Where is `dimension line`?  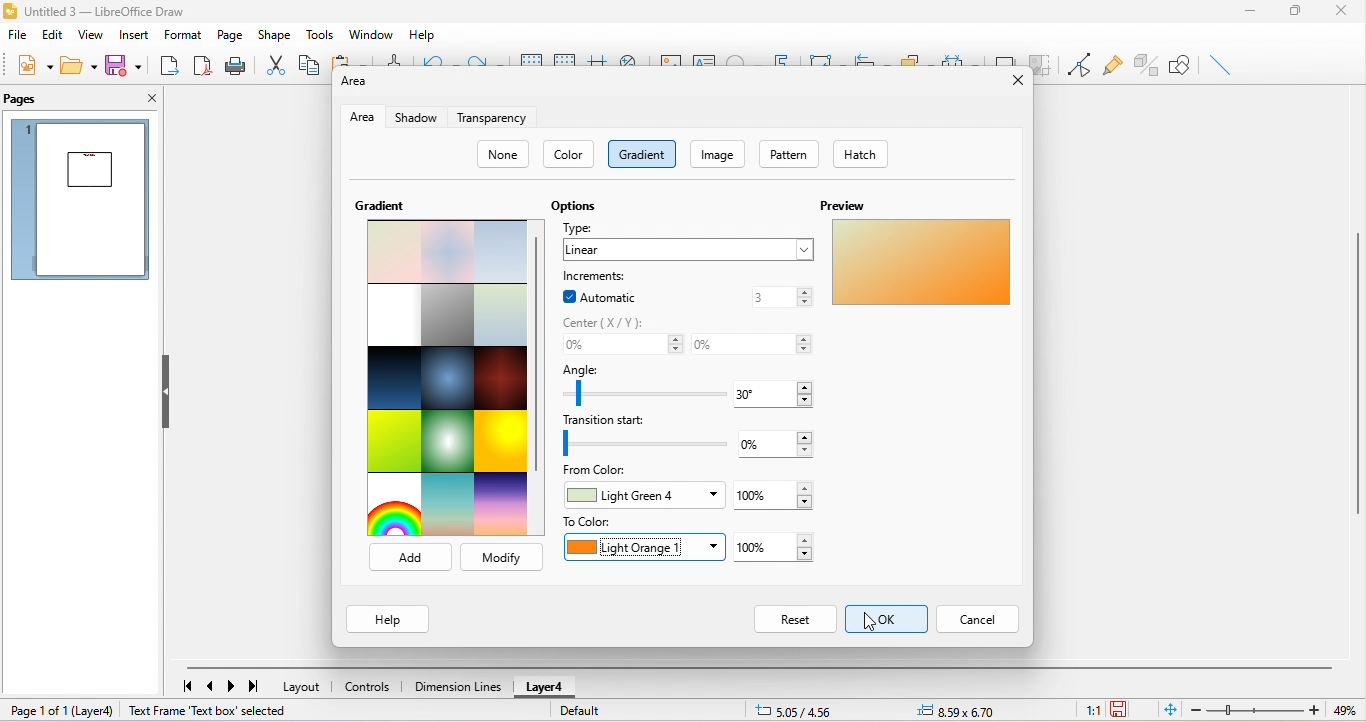
dimension line is located at coordinates (456, 685).